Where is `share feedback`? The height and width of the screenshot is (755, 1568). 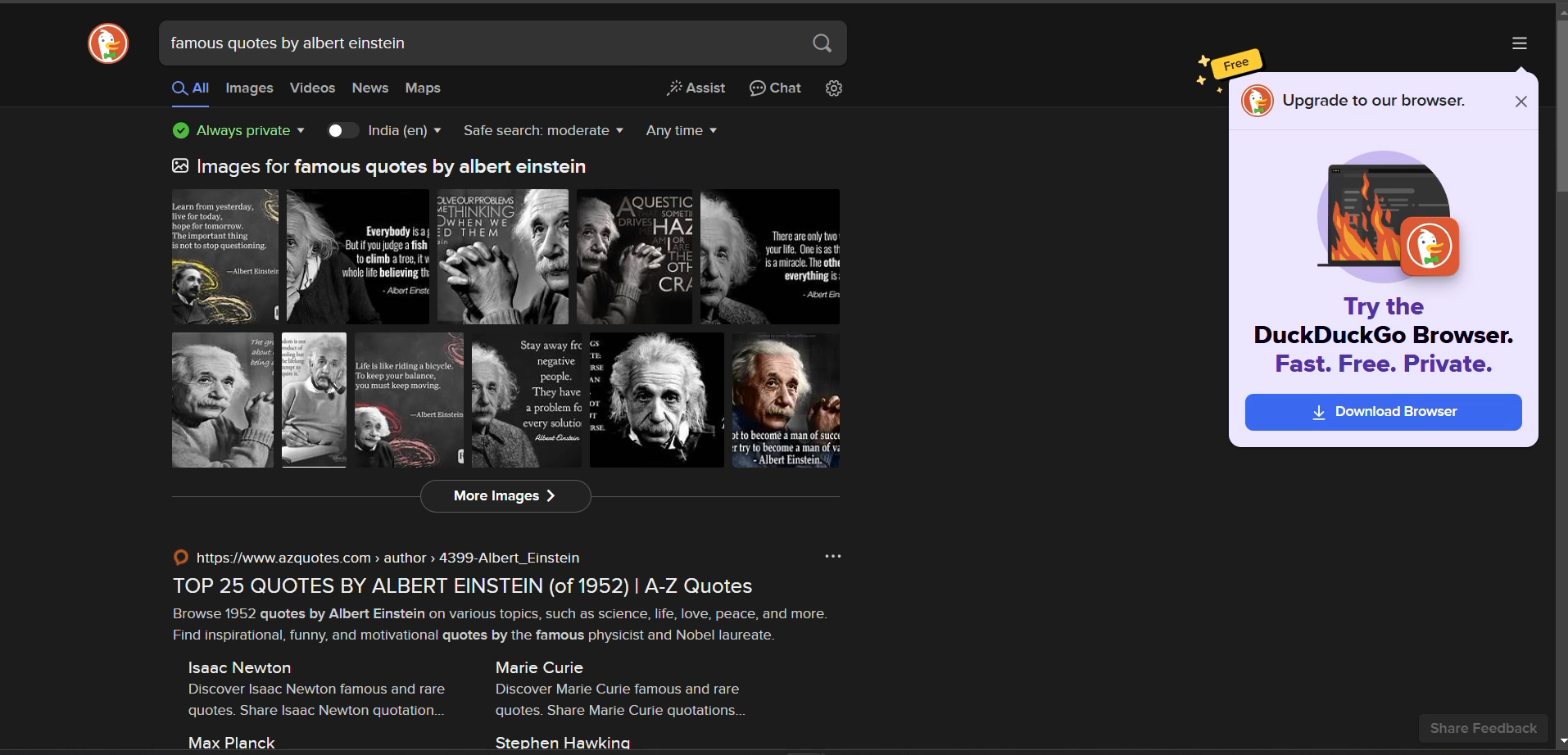
share feedback is located at coordinates (1481, 729).